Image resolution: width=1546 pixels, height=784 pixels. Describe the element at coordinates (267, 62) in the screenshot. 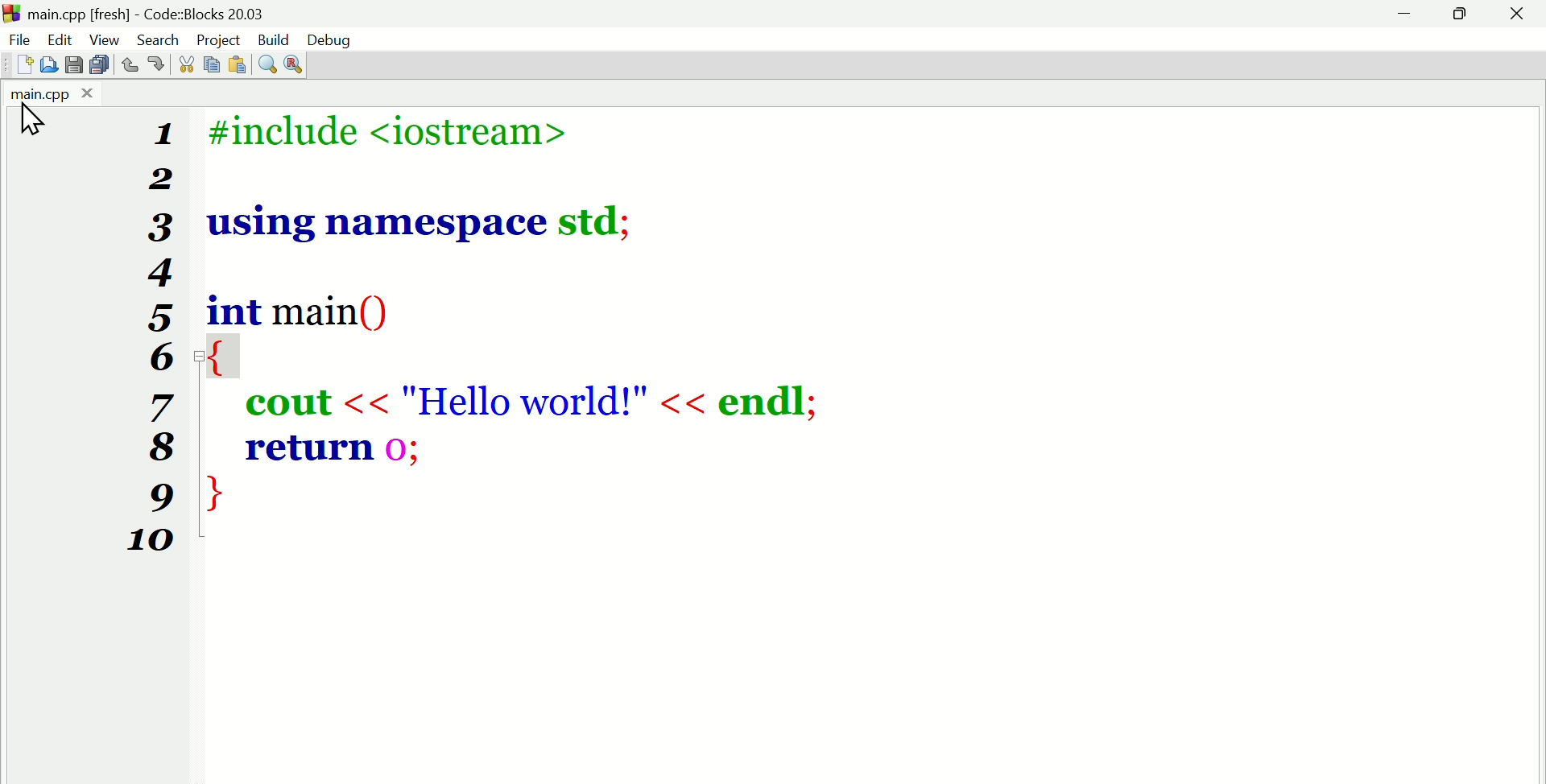

I see `Find` at that location.